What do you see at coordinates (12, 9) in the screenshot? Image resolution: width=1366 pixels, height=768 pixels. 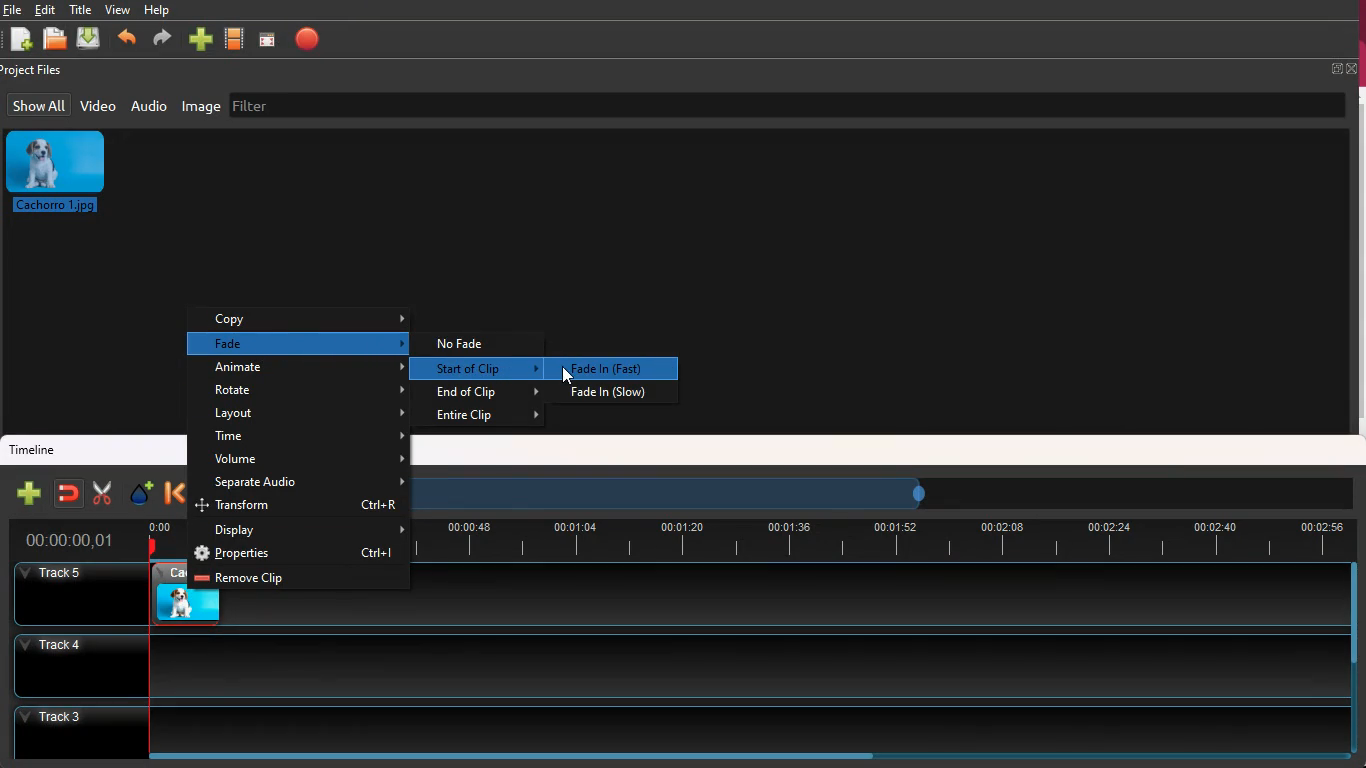 I see `file` at bounding box center [12, 9].